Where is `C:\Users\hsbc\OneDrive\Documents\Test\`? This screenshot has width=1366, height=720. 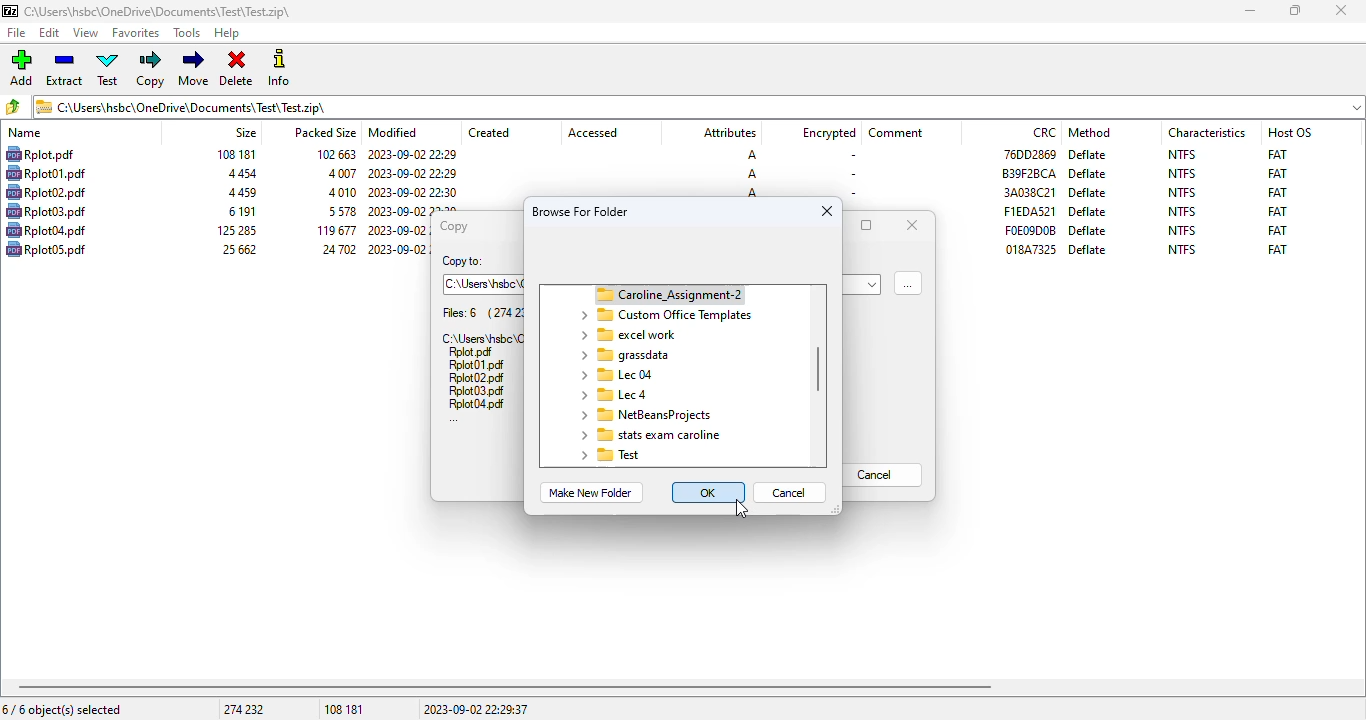 C:\Users\hsbc\OneDrive\Documents\Test\ is located at coordinates (484, 284).